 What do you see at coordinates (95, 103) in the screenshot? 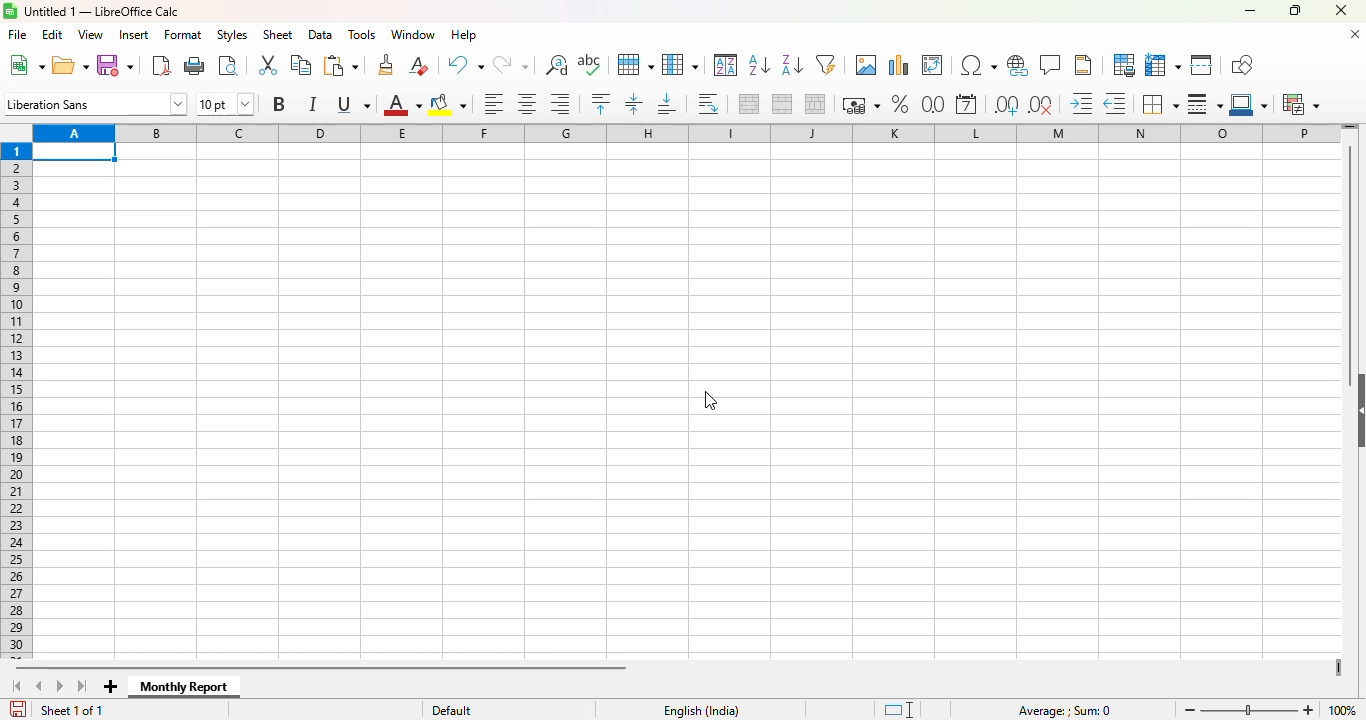
I see `font name` at bounding box center [95, 103].